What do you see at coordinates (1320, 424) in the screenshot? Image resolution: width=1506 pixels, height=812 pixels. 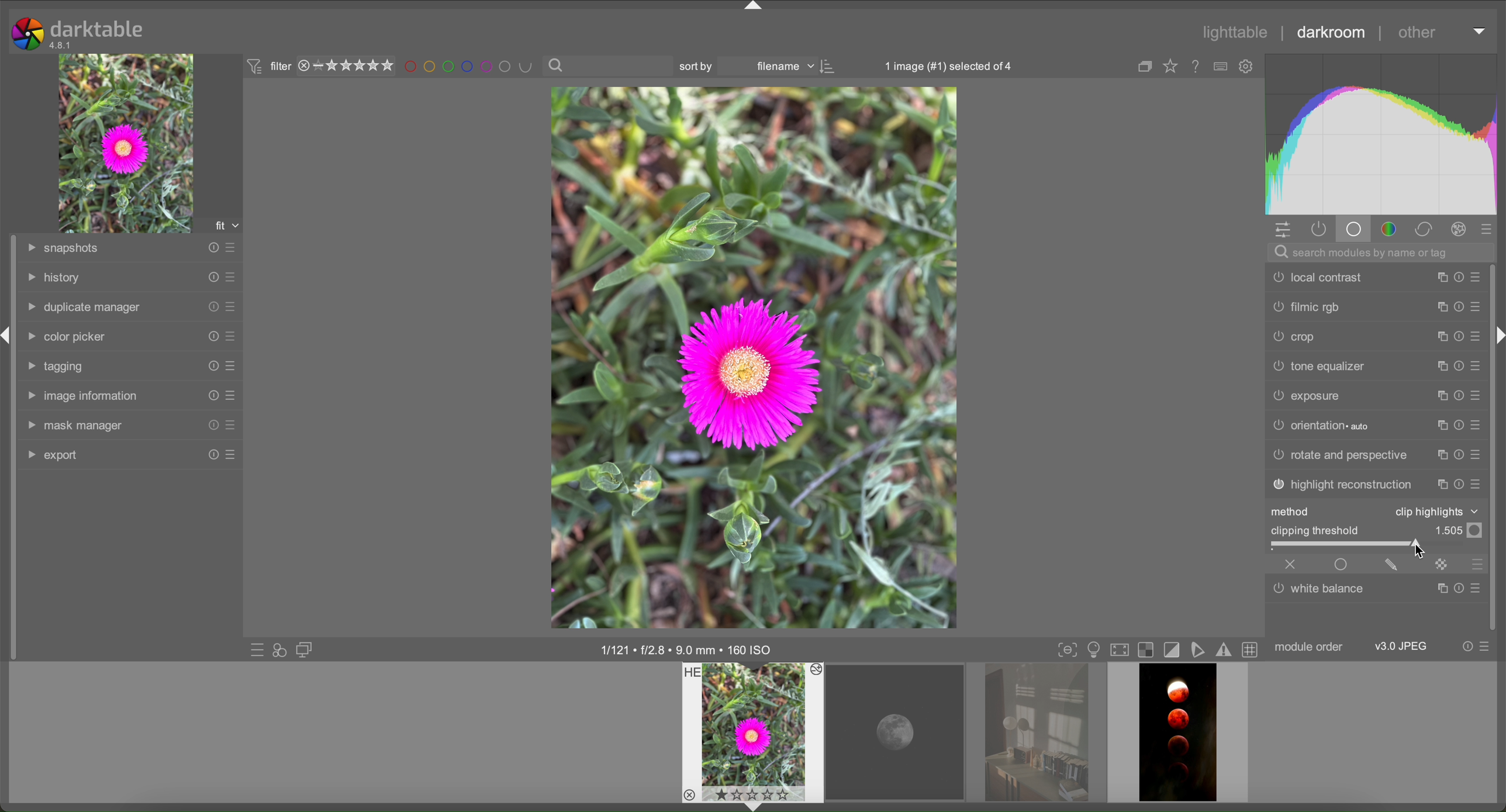 I see `orientation auto` at bounding box center [1320, 424].